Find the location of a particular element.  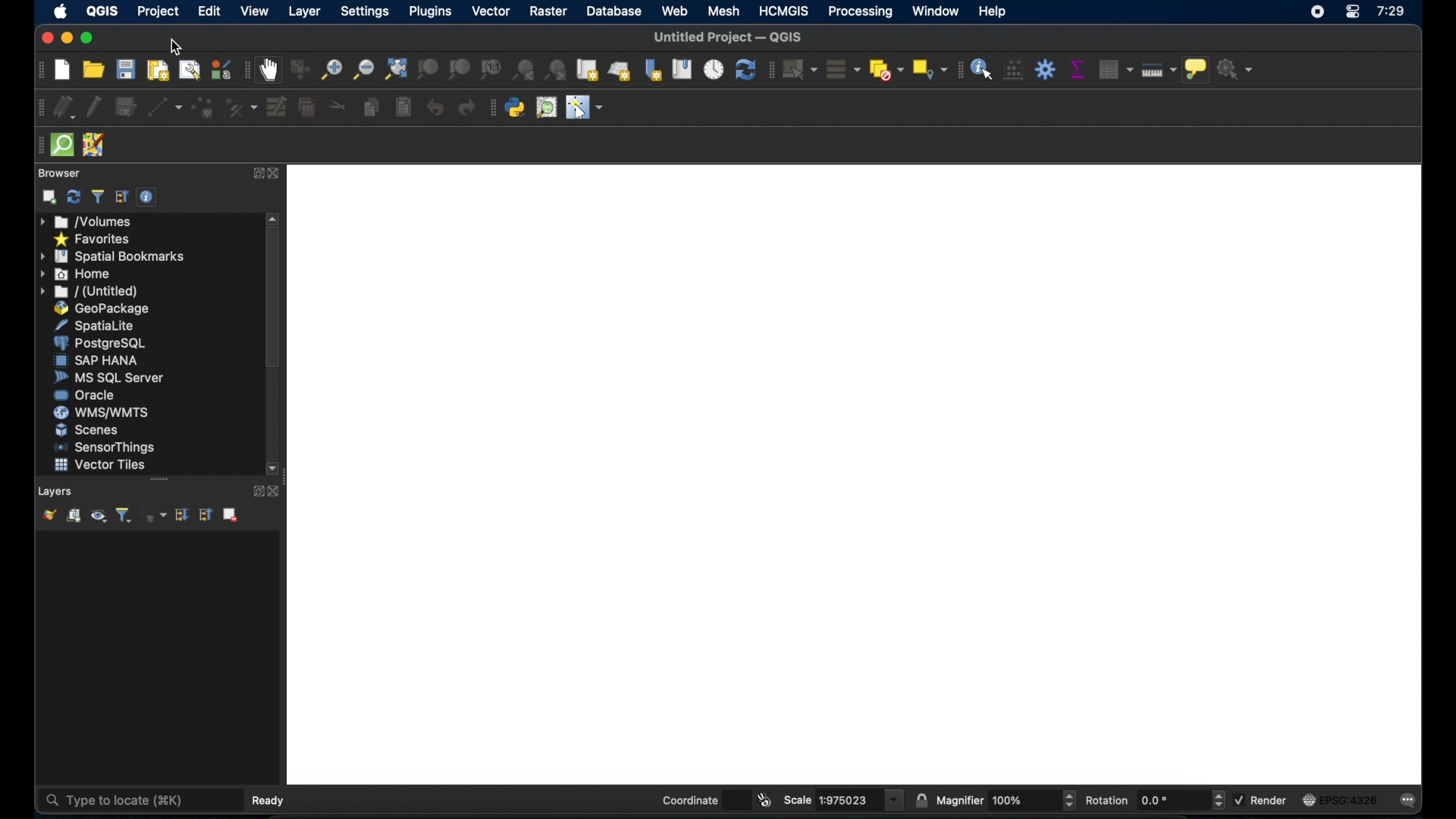

postgresql is located at coordinates (99, 343).